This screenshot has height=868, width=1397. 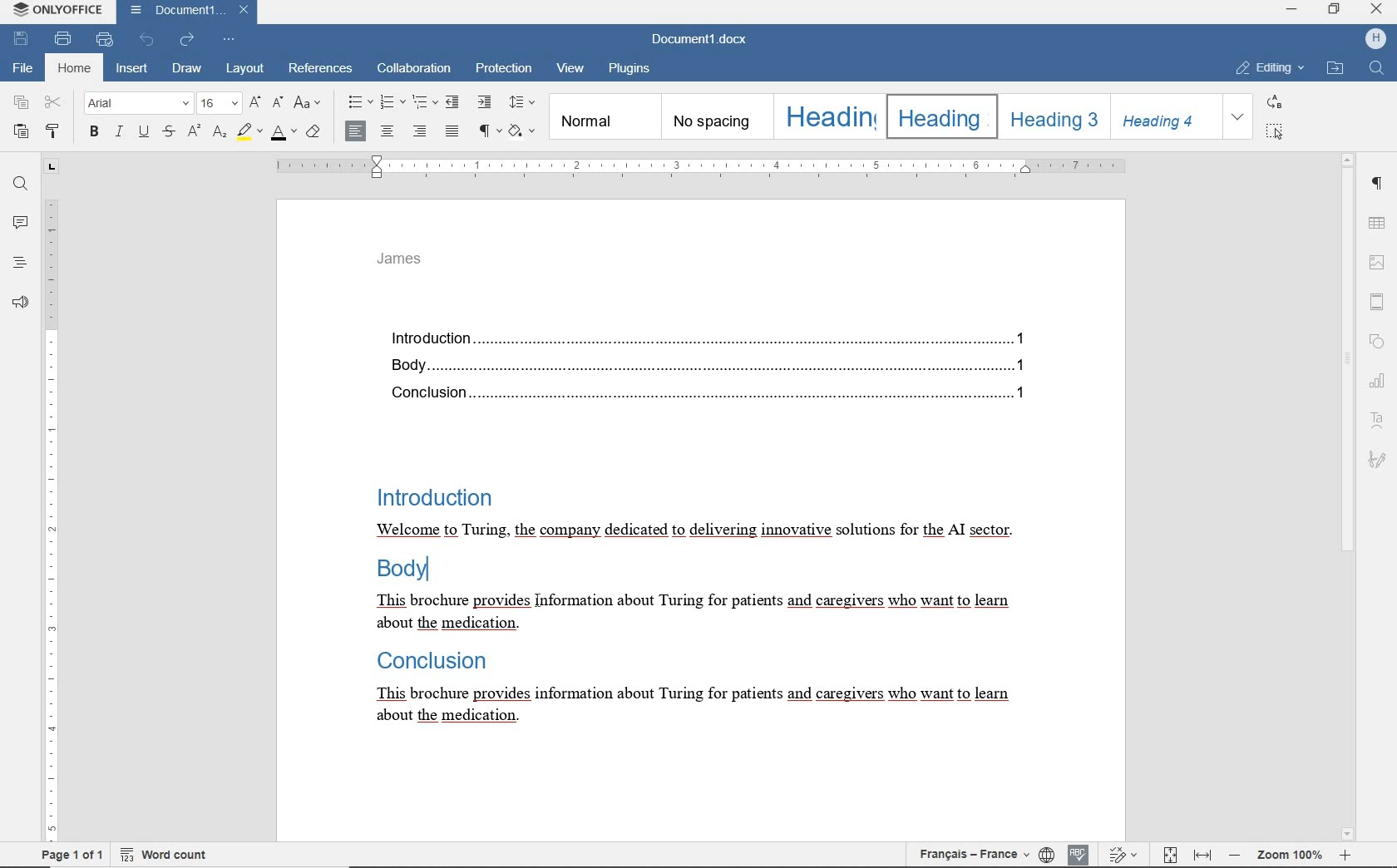 What do you see at coordinates (1202, 854) in the screenshot?
I see `FIT TO WIDTH` at bounding box center [1202, 854].